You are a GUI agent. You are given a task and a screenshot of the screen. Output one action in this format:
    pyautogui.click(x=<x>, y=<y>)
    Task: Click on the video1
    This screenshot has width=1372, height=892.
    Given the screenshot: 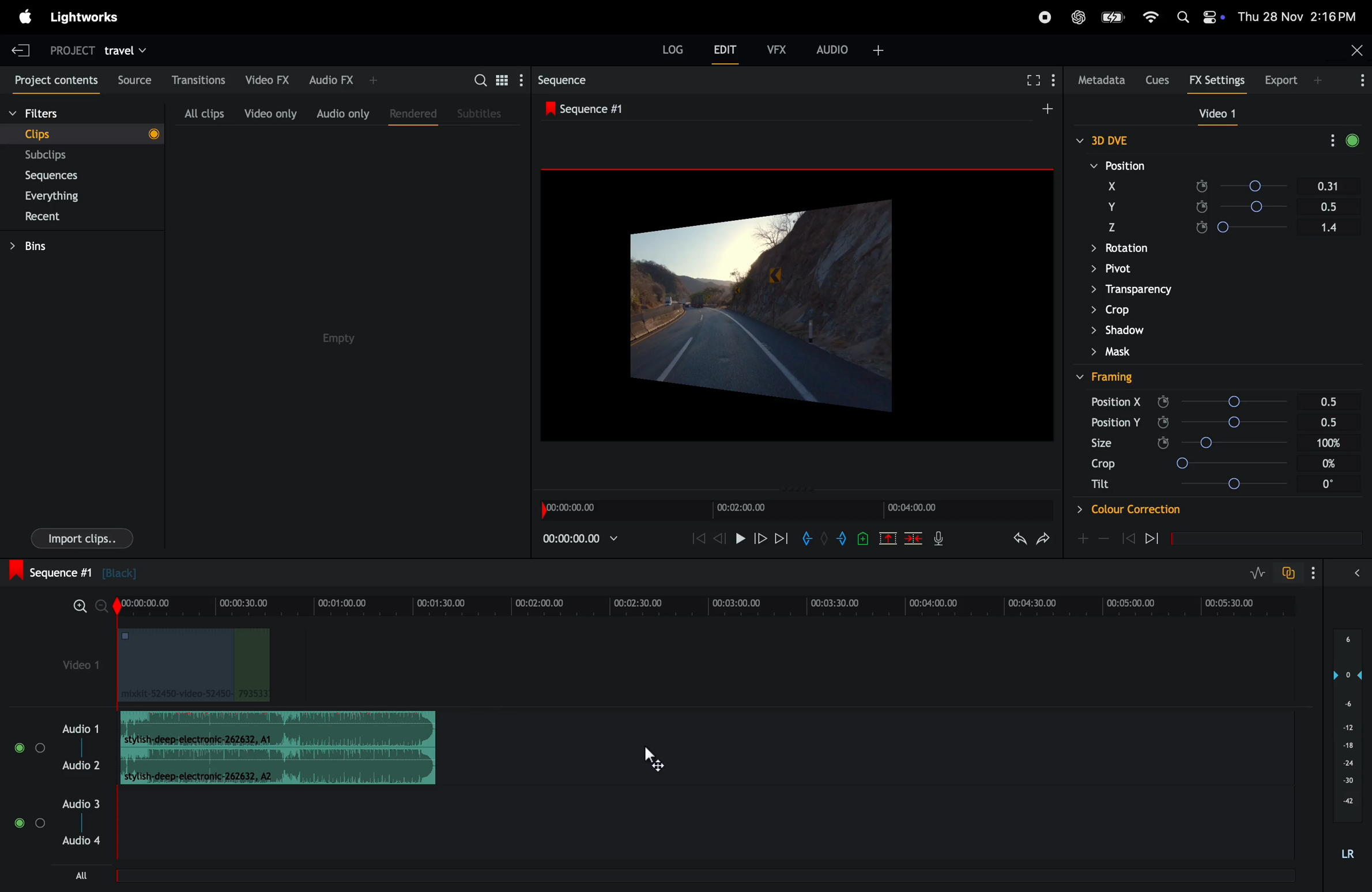 What is the action you would take?
    pyautogui.click(x=71, y=664)
    